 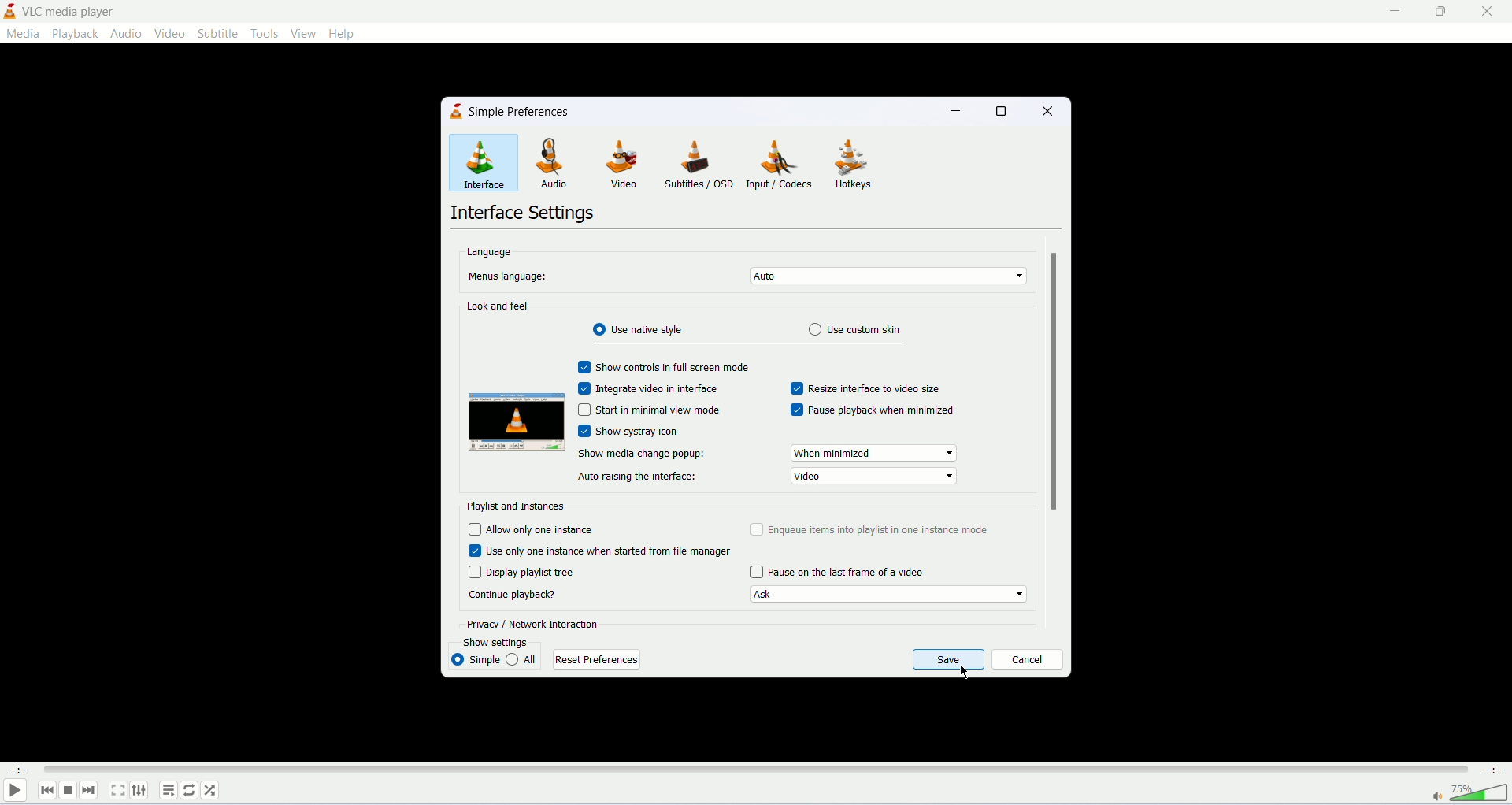 What do you see at coordinates (14, 792) in the screenshot?
I see `play/pause` at bounding box center [14, 792].